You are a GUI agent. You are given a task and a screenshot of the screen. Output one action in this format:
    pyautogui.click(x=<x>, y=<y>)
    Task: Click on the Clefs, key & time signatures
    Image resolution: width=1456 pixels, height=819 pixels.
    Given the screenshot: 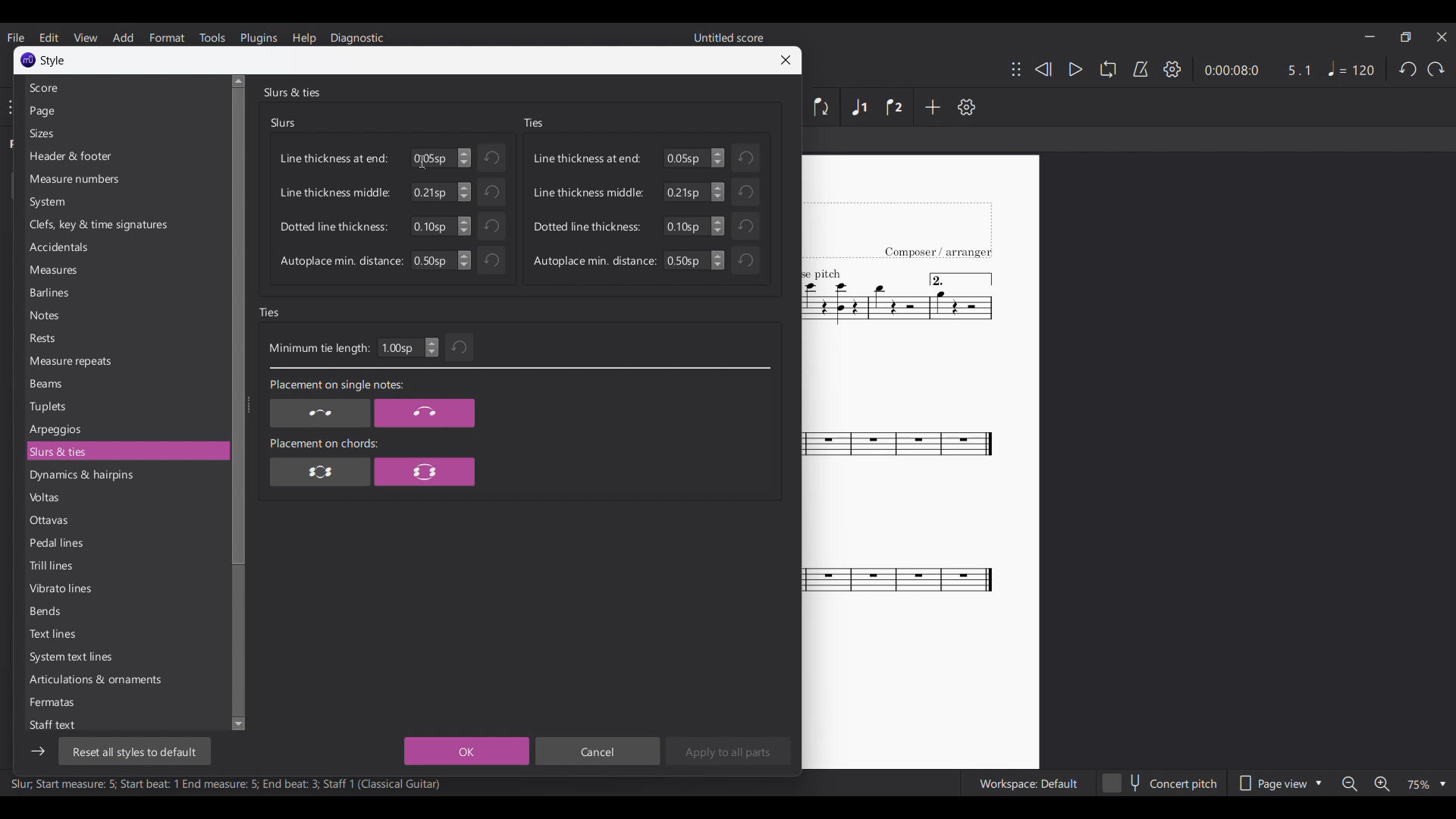 What is the action you would take?
    pyautogui.click(x=125, y=225)
    